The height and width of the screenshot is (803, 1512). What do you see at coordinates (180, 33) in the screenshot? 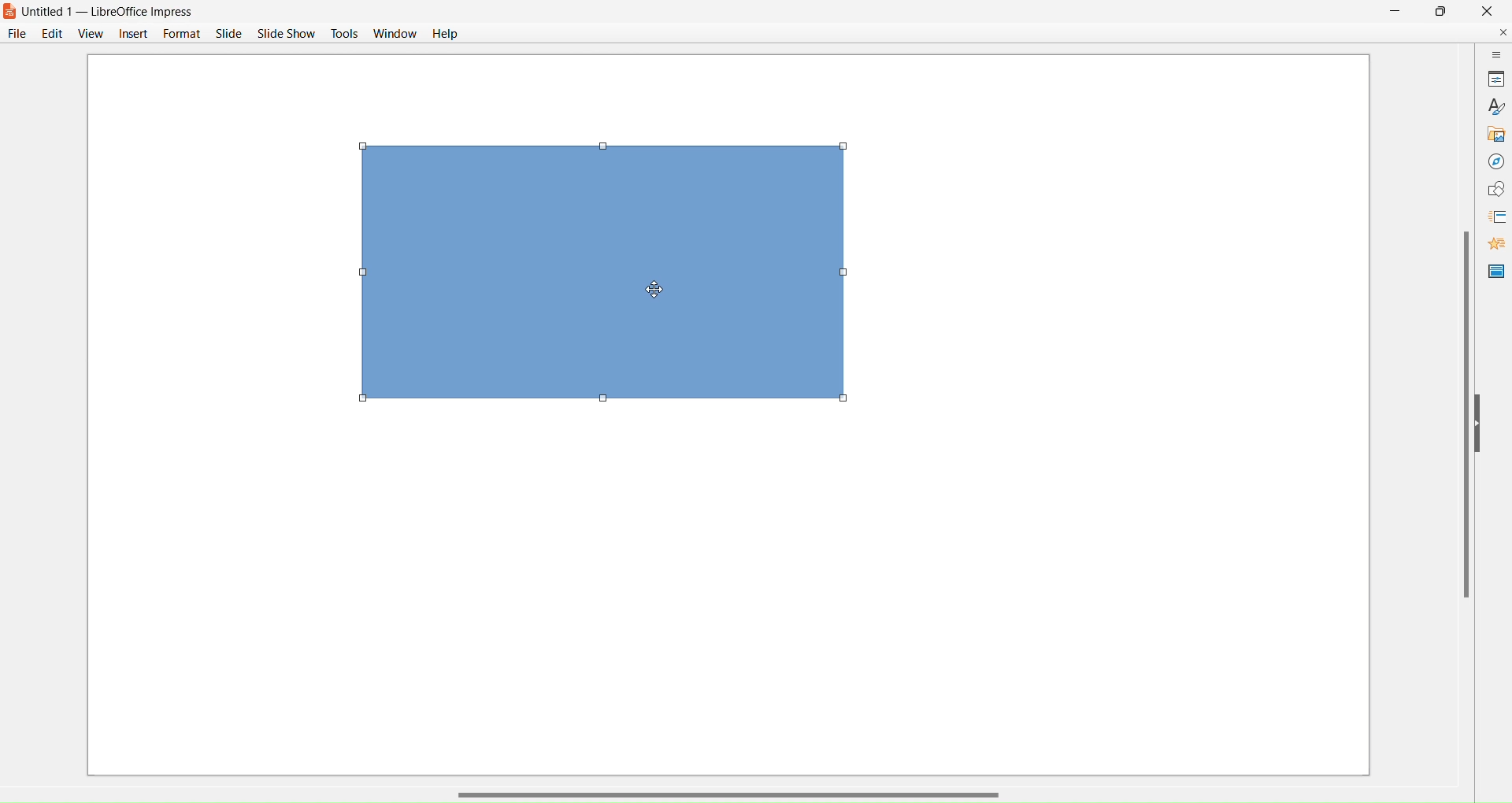
I see `Format` at bounding box center [180, 33].